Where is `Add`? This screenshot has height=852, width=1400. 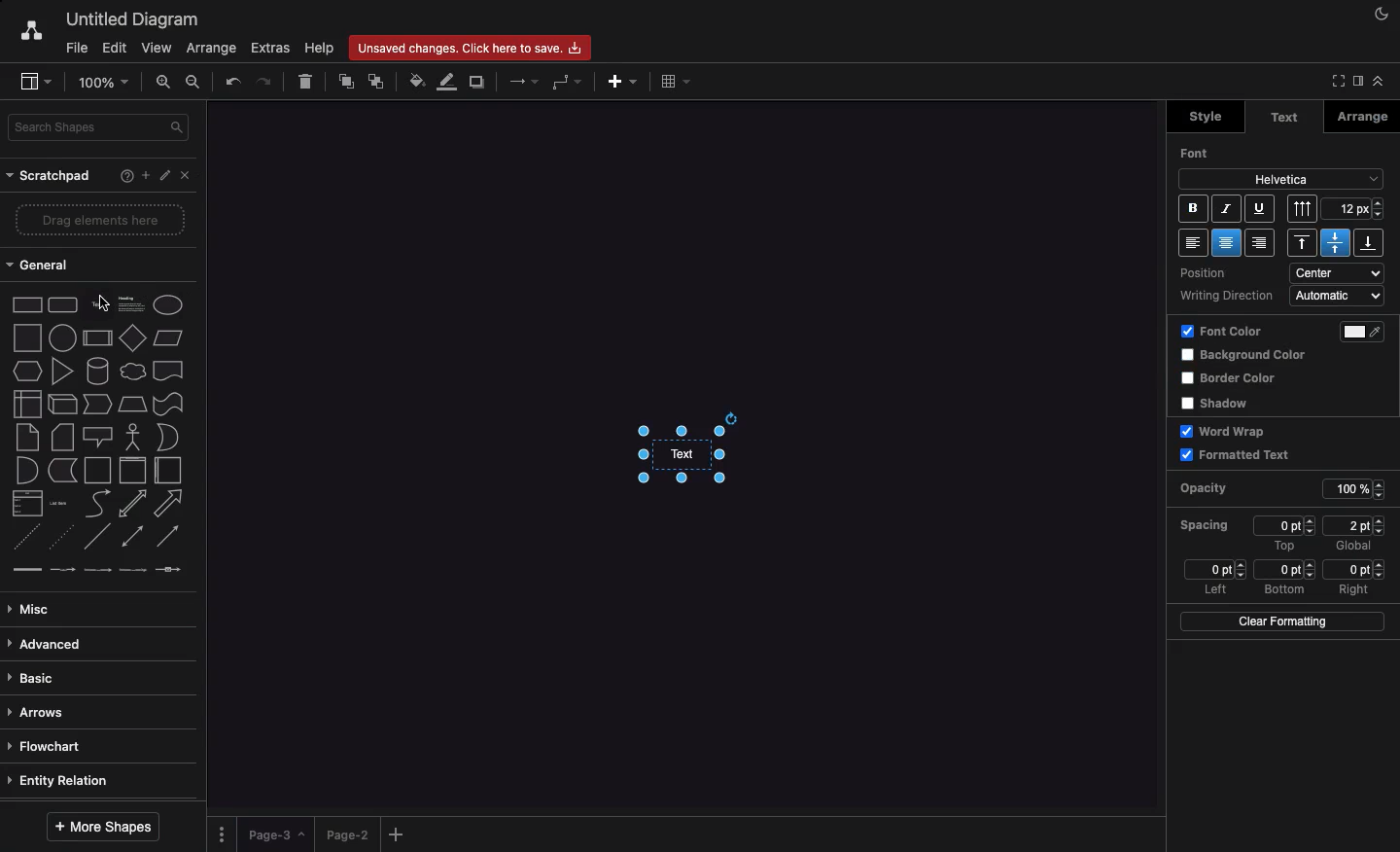
Add is located at coordinates (623, 82).